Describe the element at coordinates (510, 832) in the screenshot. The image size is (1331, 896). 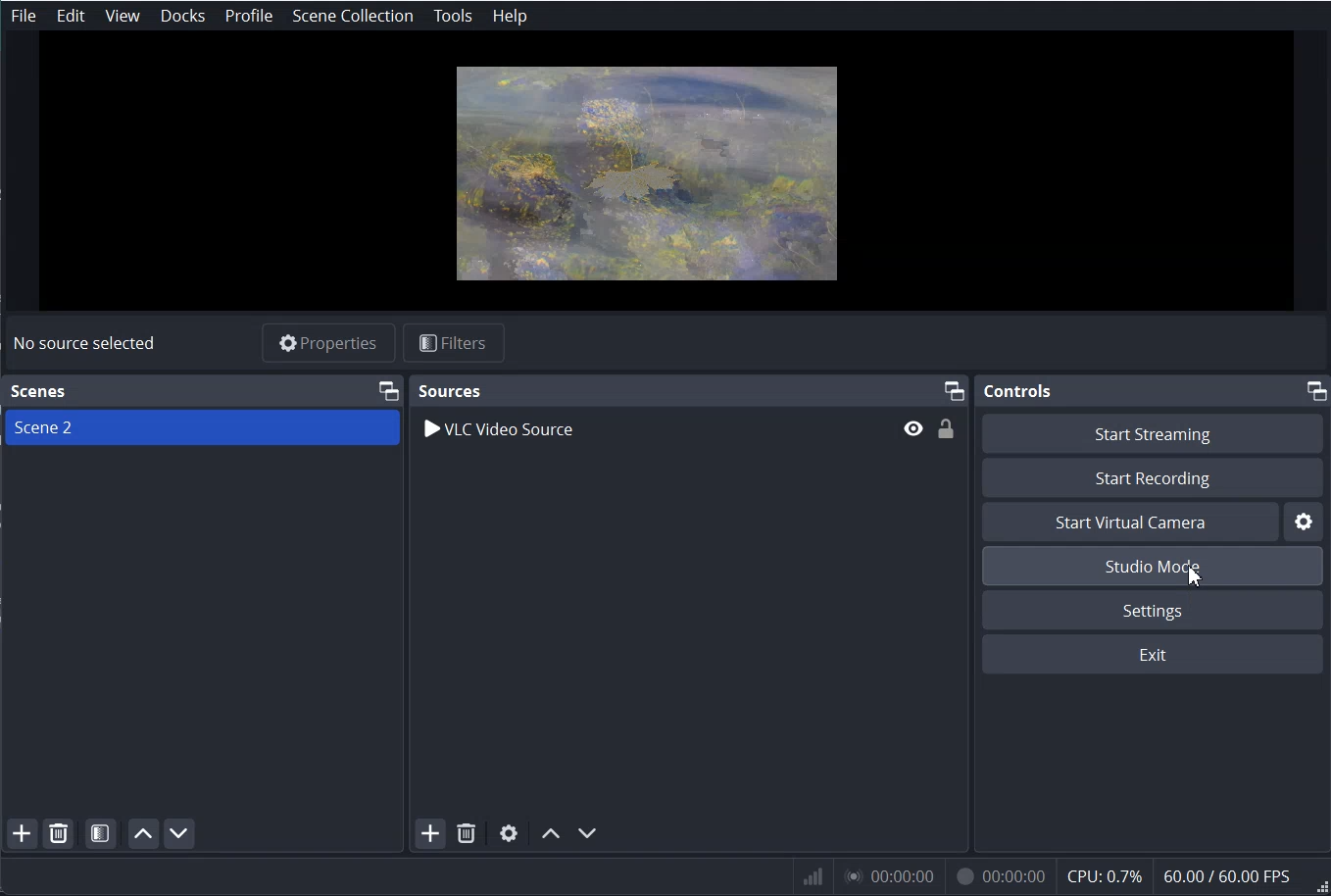
I see `Open Source Properties` at that location.